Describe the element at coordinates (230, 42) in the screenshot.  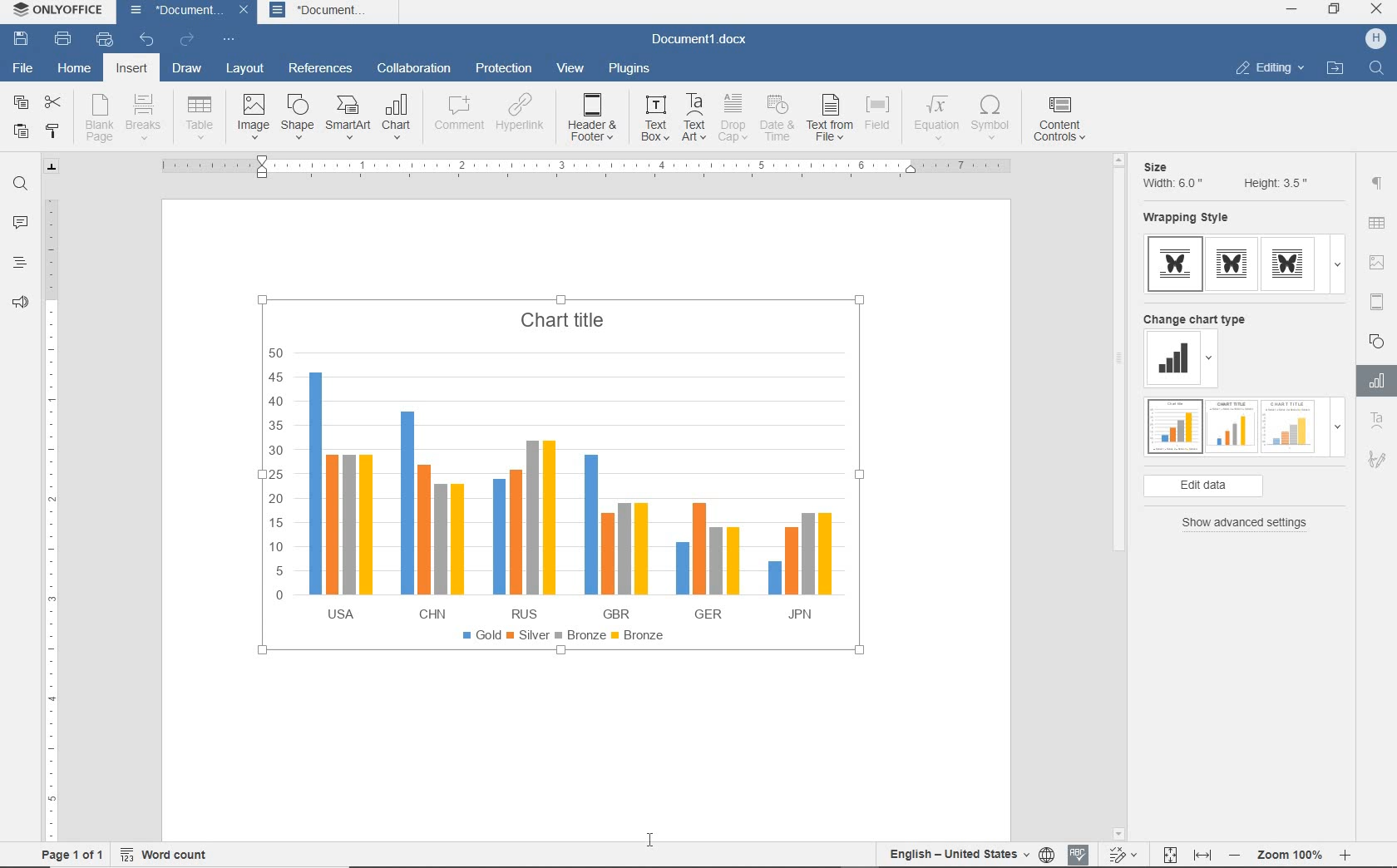
I see `customize quick access toolbar` at that location.